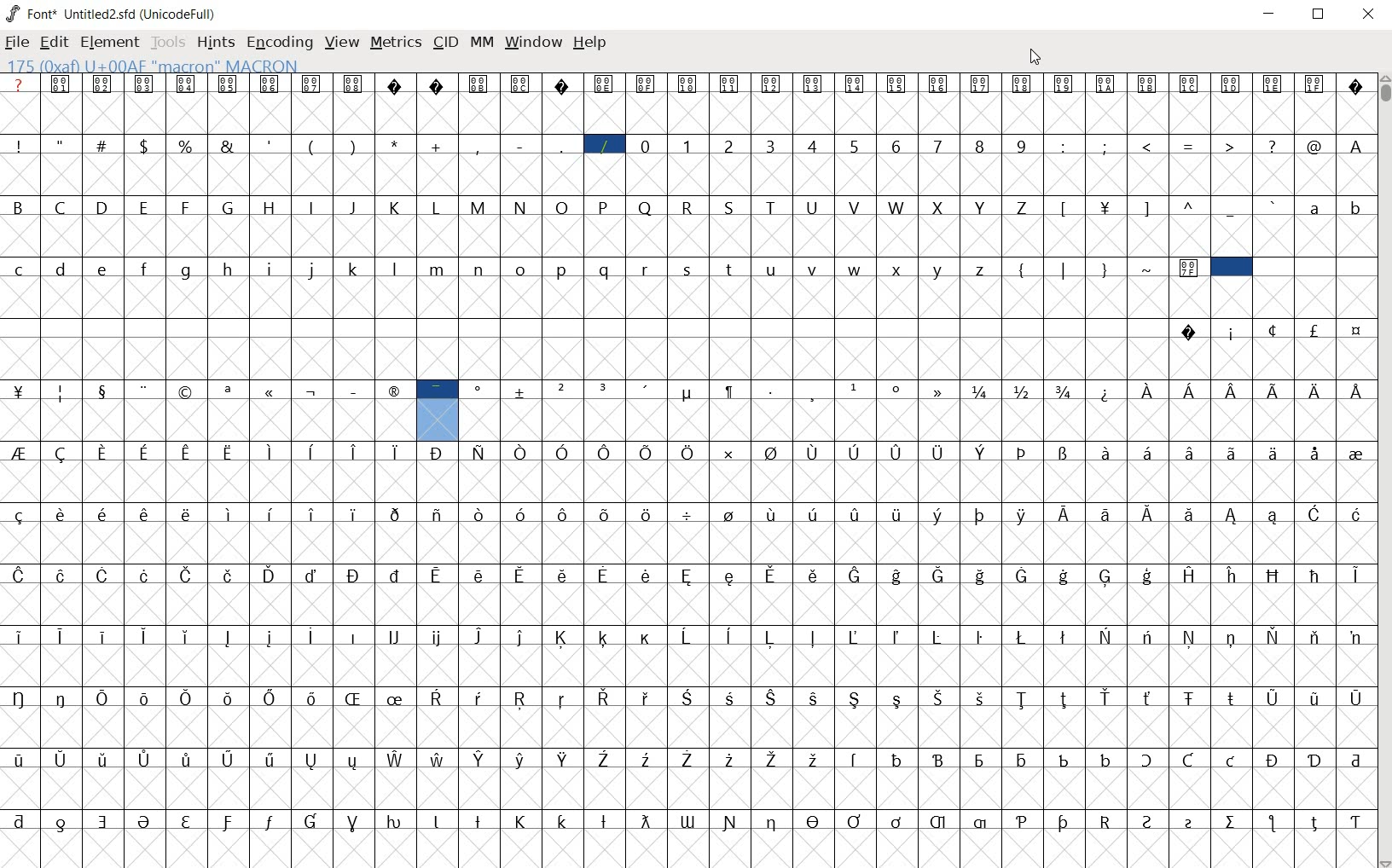 Image resolution: width=1392 pixels, height=868 pixels. Describe the element at coordinates (1209, 534) in the screenshot. I see `Latin extended characters` at that location.